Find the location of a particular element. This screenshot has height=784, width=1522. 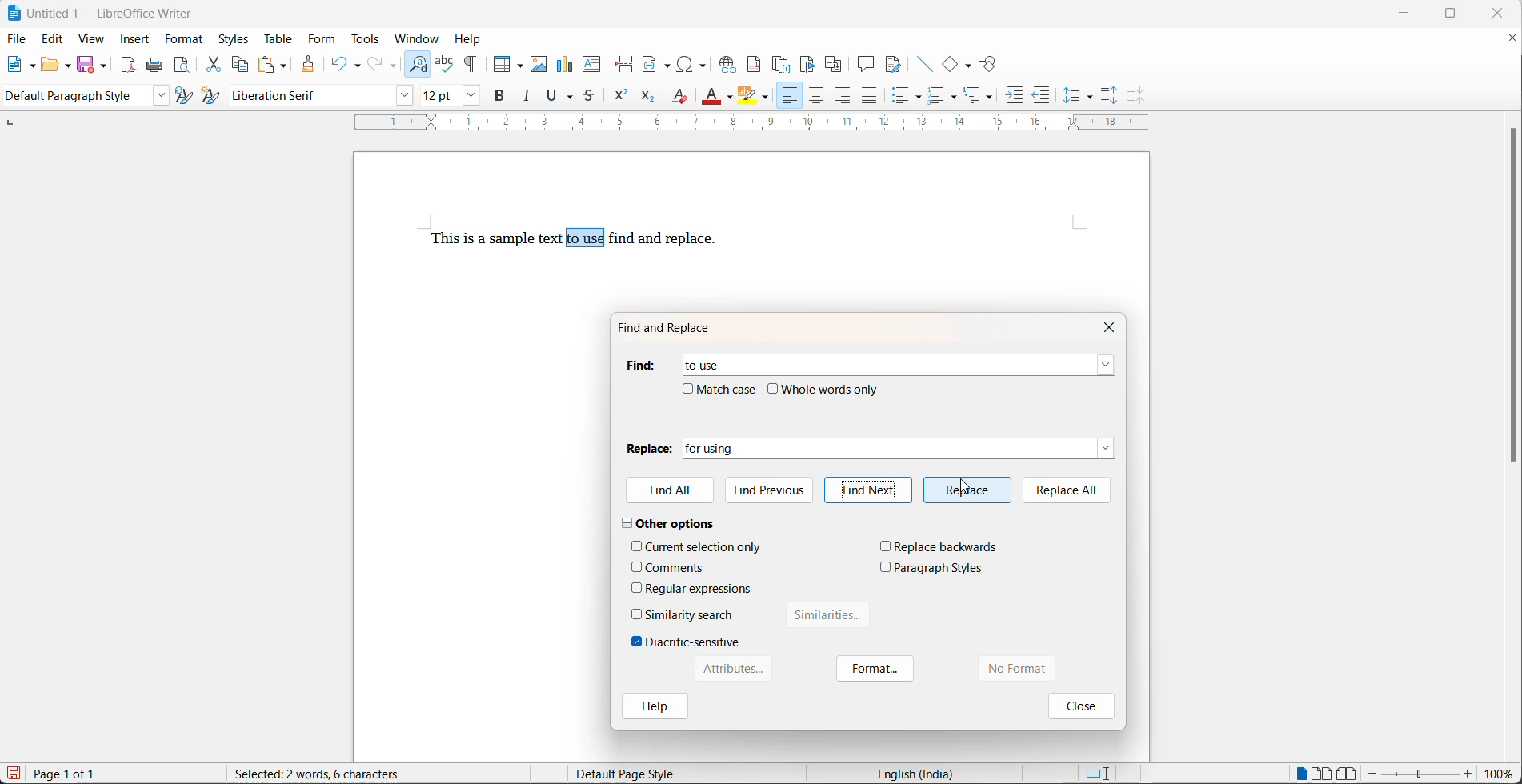

maximize is located at coordinates (1462, 15).